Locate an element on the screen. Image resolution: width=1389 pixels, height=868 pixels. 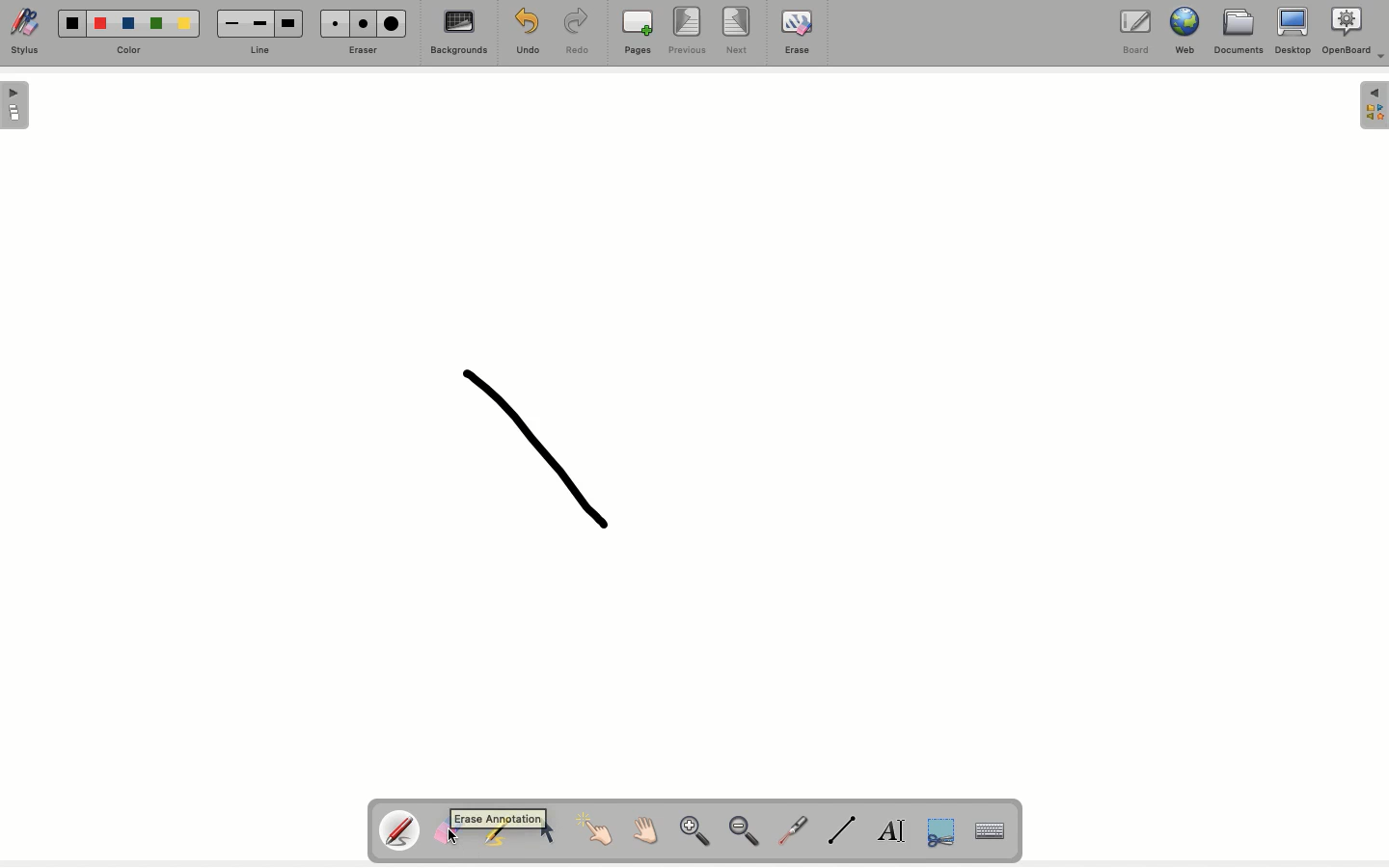
Pages is located at coordinates (640, 33).